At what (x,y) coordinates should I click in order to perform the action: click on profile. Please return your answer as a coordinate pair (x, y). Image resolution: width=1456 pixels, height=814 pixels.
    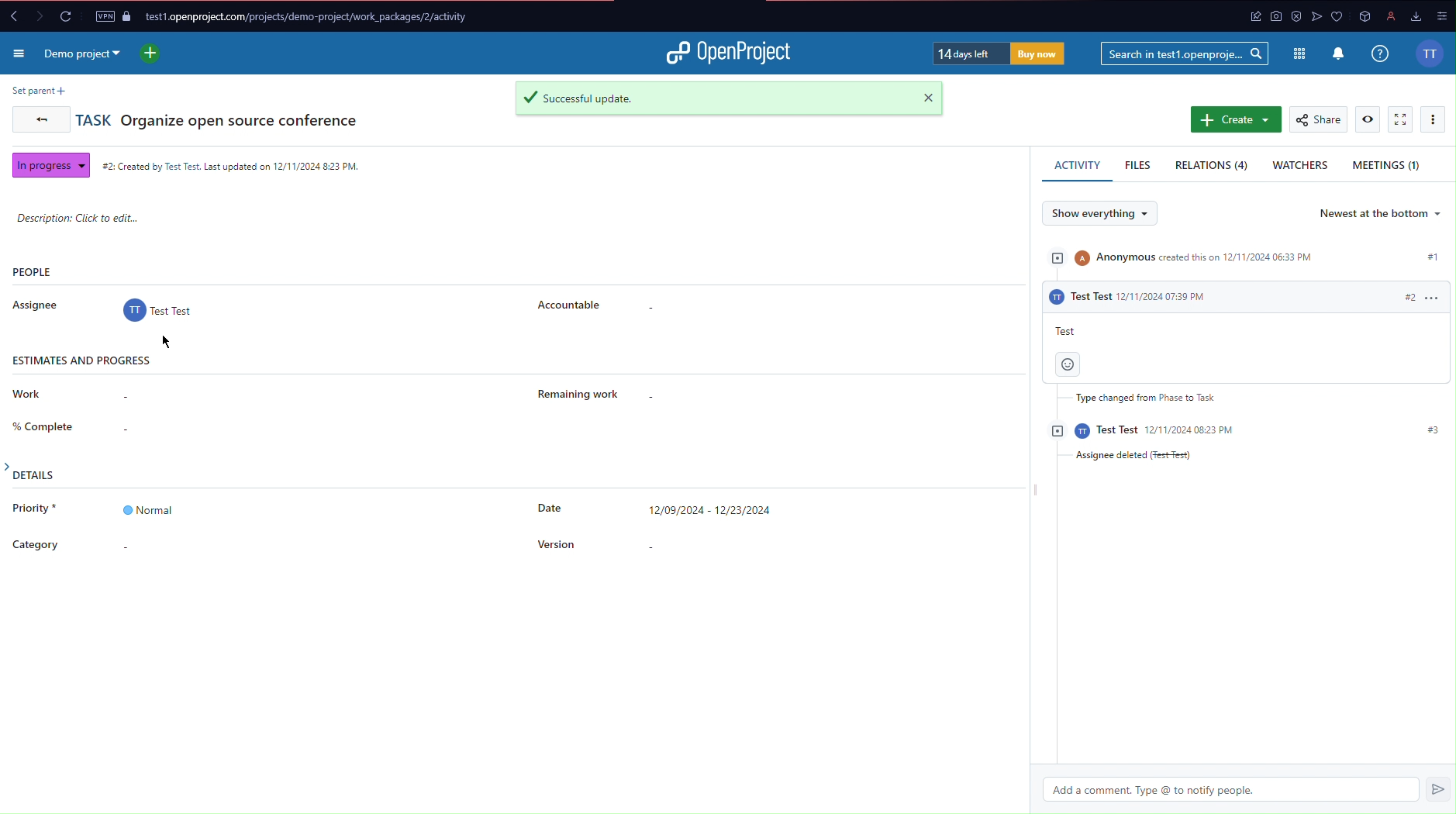
    Looking at the image, I should click on (1391, 16).